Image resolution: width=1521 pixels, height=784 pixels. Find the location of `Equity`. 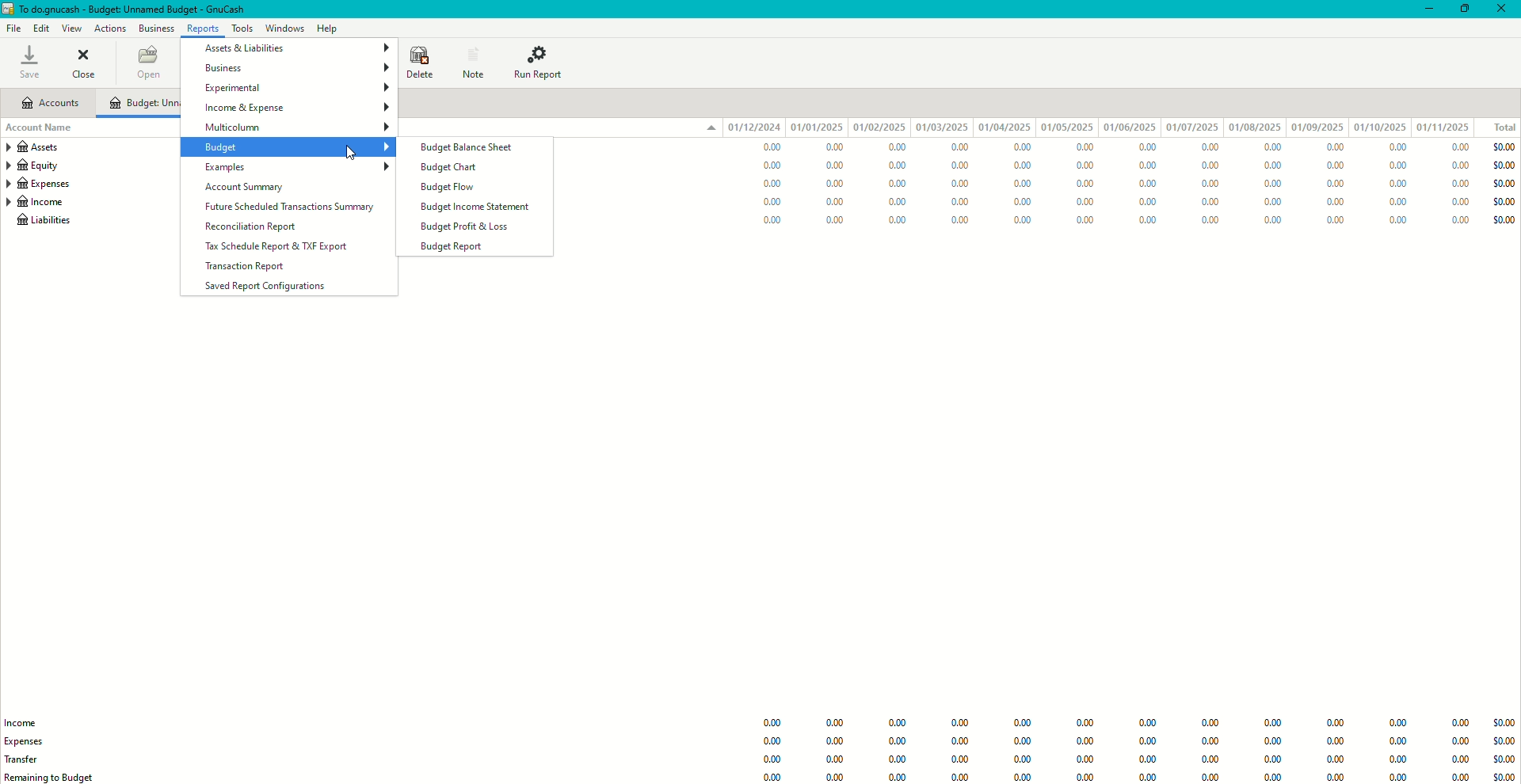

Equity is located at coordinates (36, 167).